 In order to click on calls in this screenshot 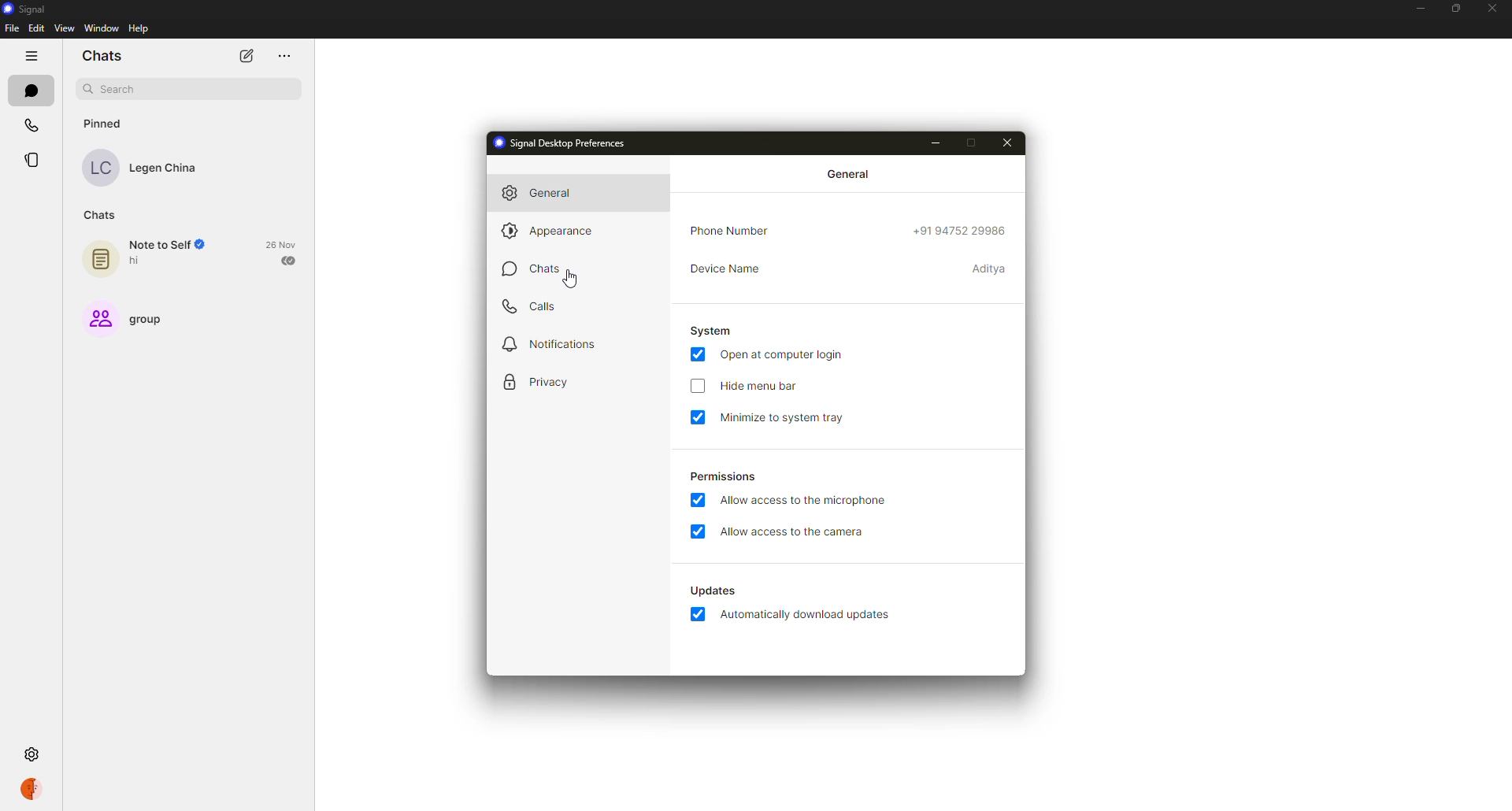, I will do `click(531, 309)`.